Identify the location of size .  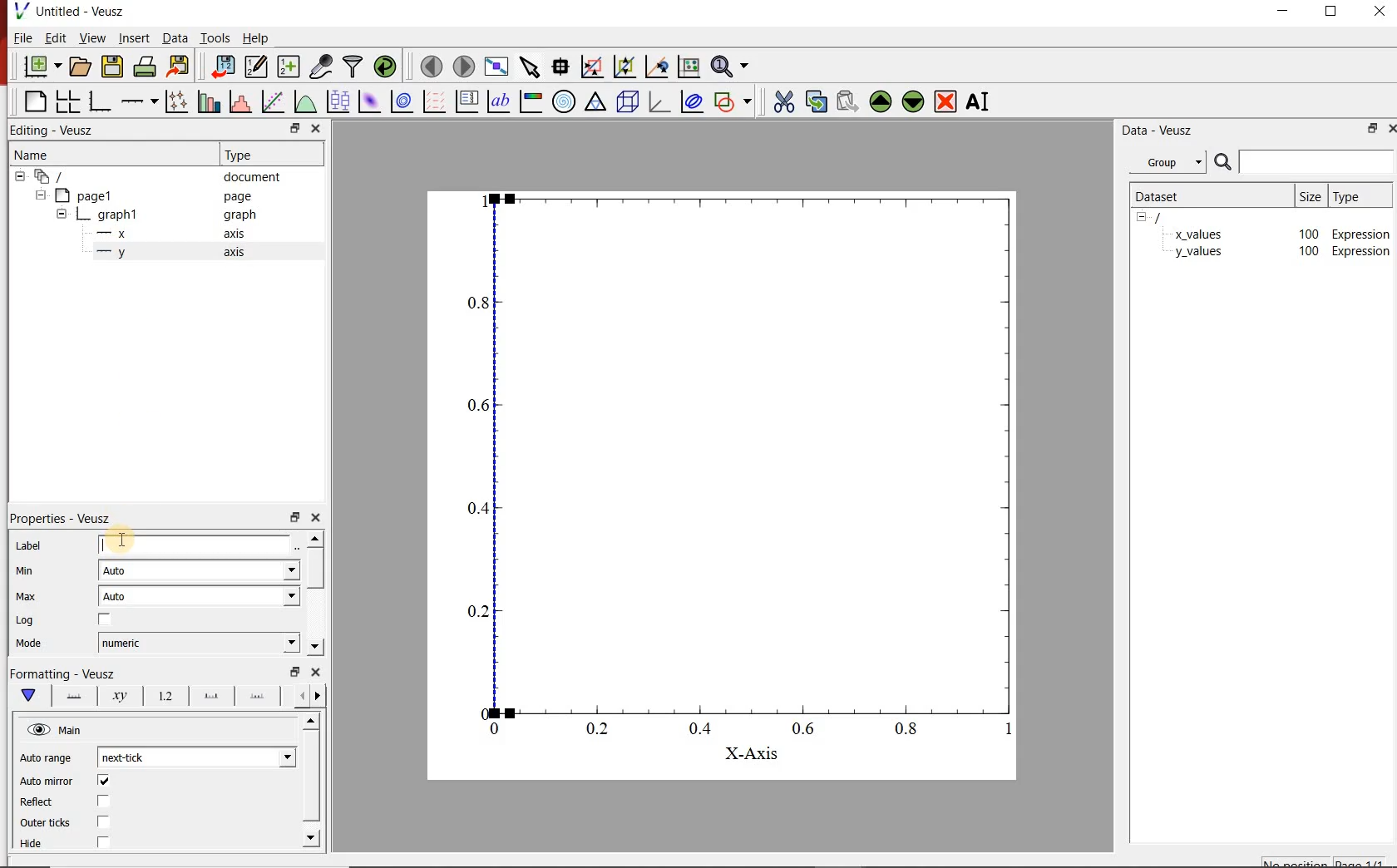
(1311, 196).